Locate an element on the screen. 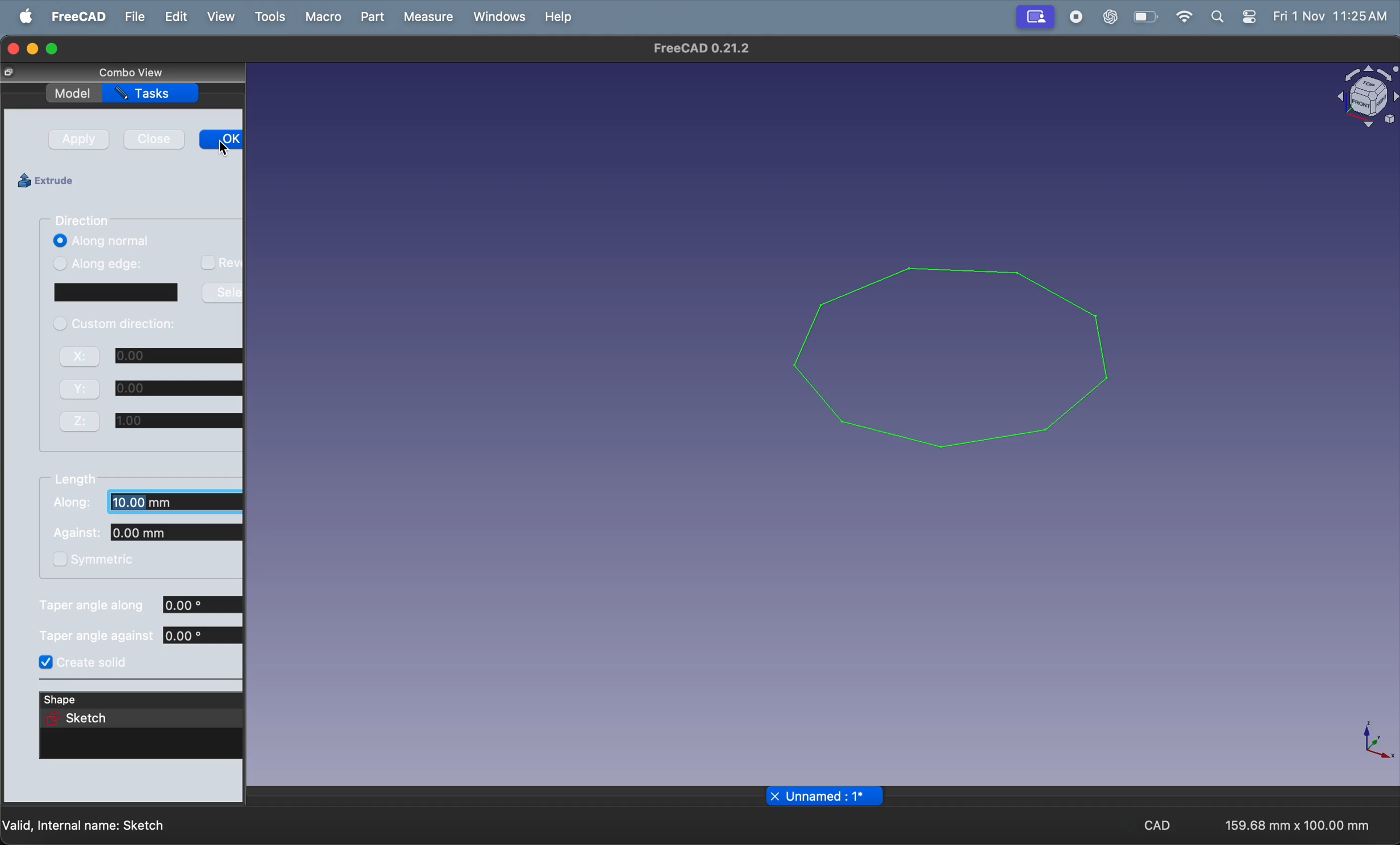 This screenshot has width=1400, height=845. marco is located at coordinates (322, 17).